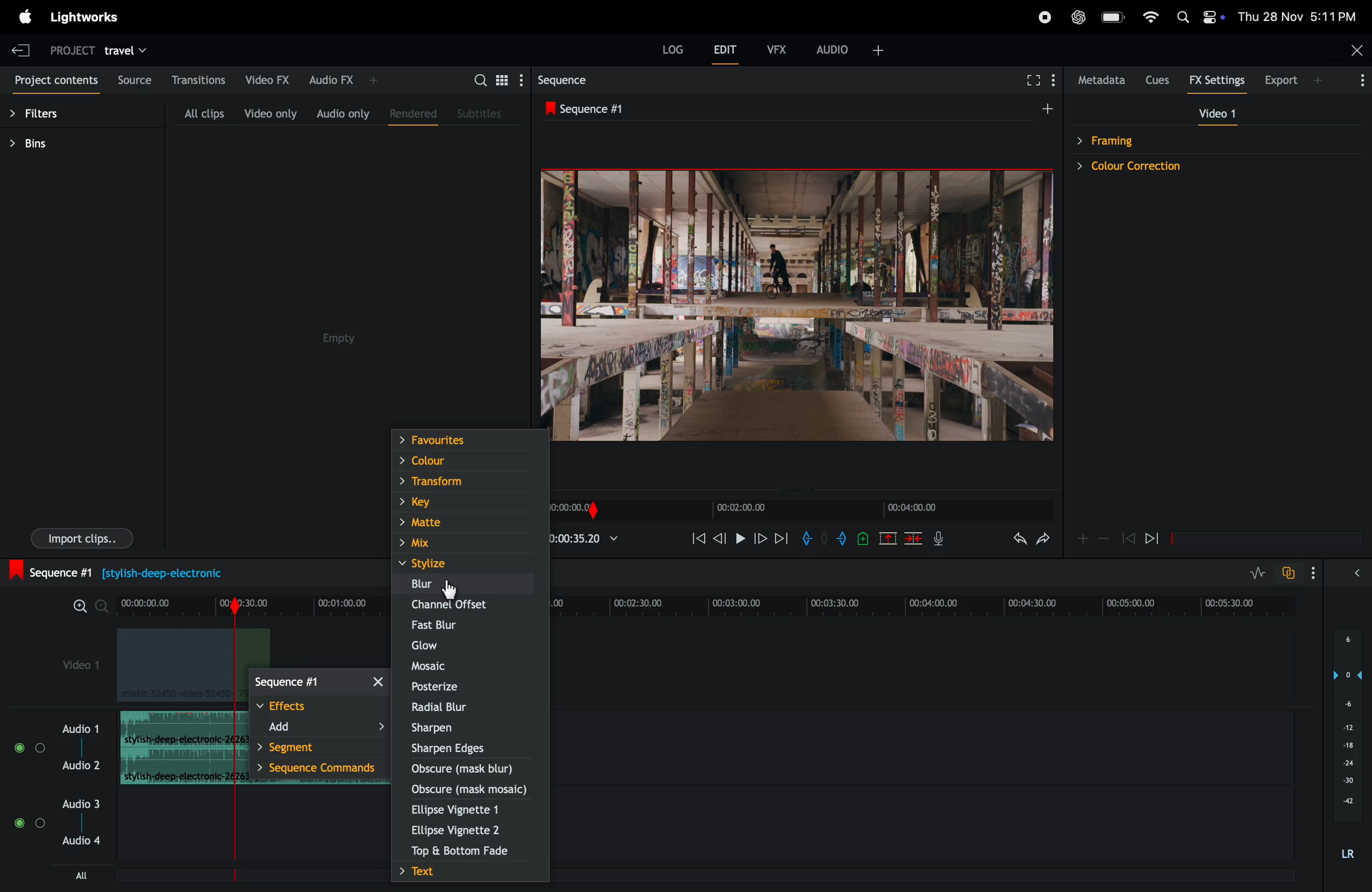 The image size is (1372, 892). I want to click on export, so click(1287, 80).